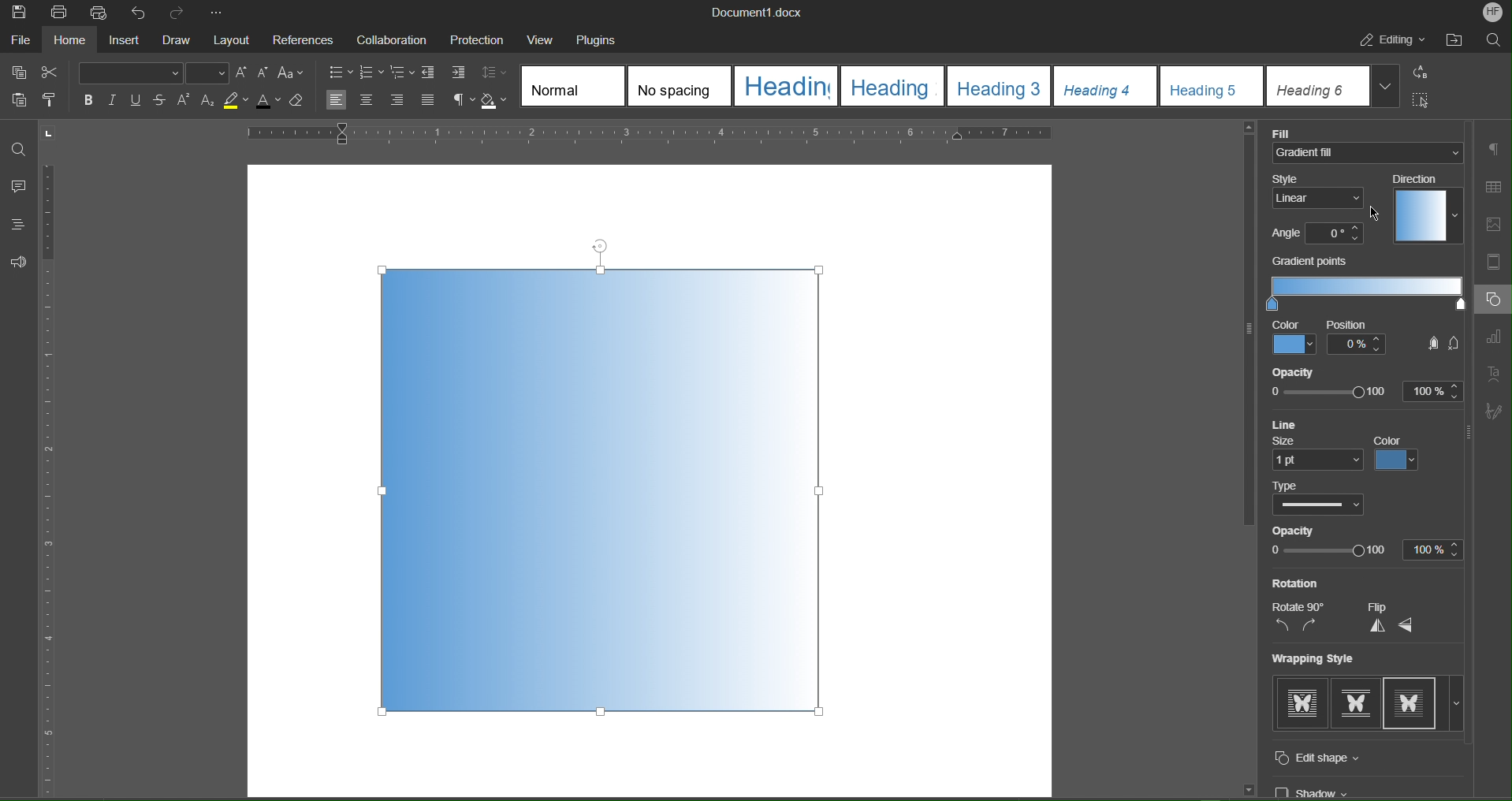  Describe the element at coordinates (1498, 263) in the screenshot. I see `Header/Footer` at that location.